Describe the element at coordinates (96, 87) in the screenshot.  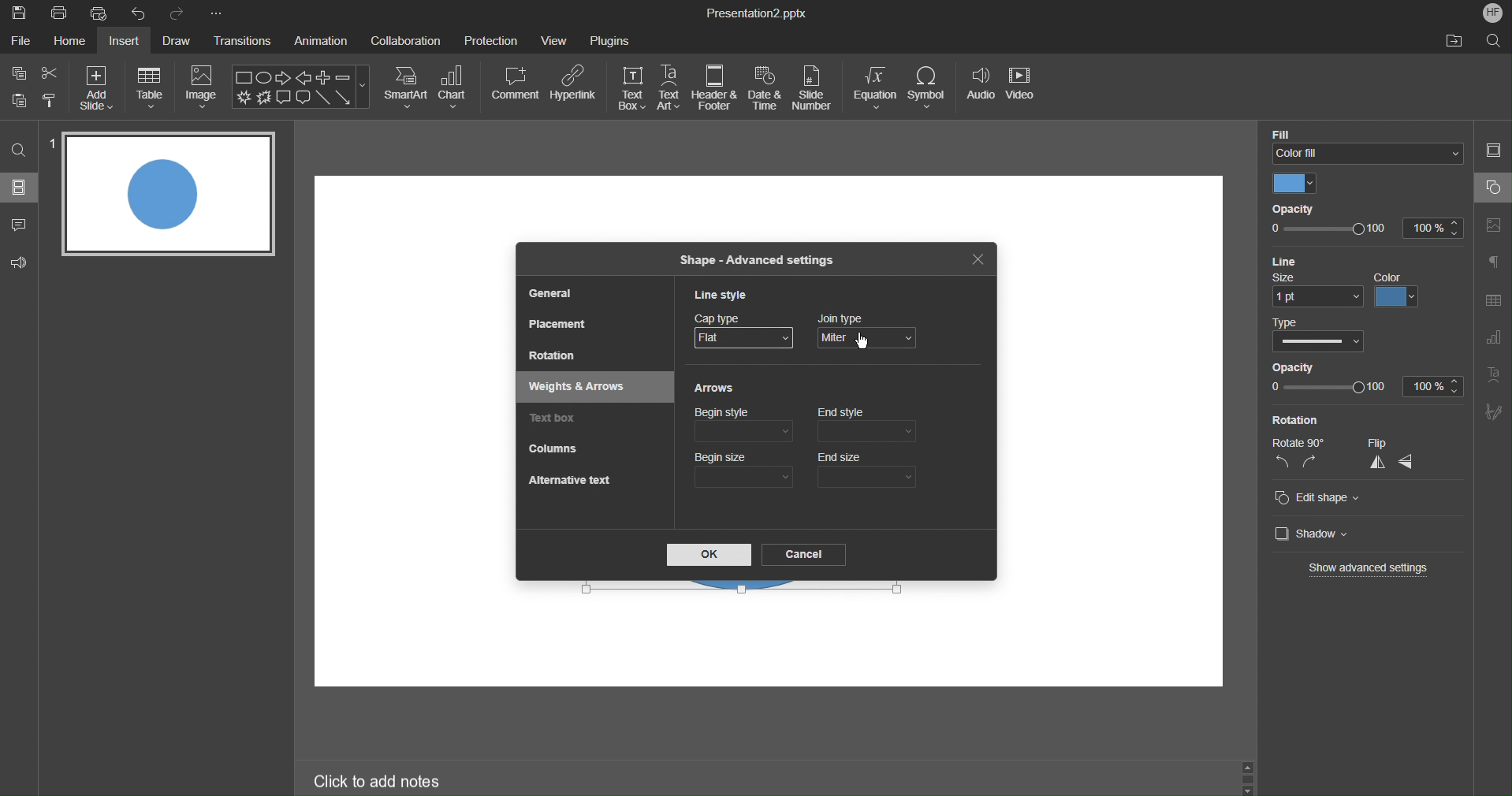
I see `Add Size` at that location.